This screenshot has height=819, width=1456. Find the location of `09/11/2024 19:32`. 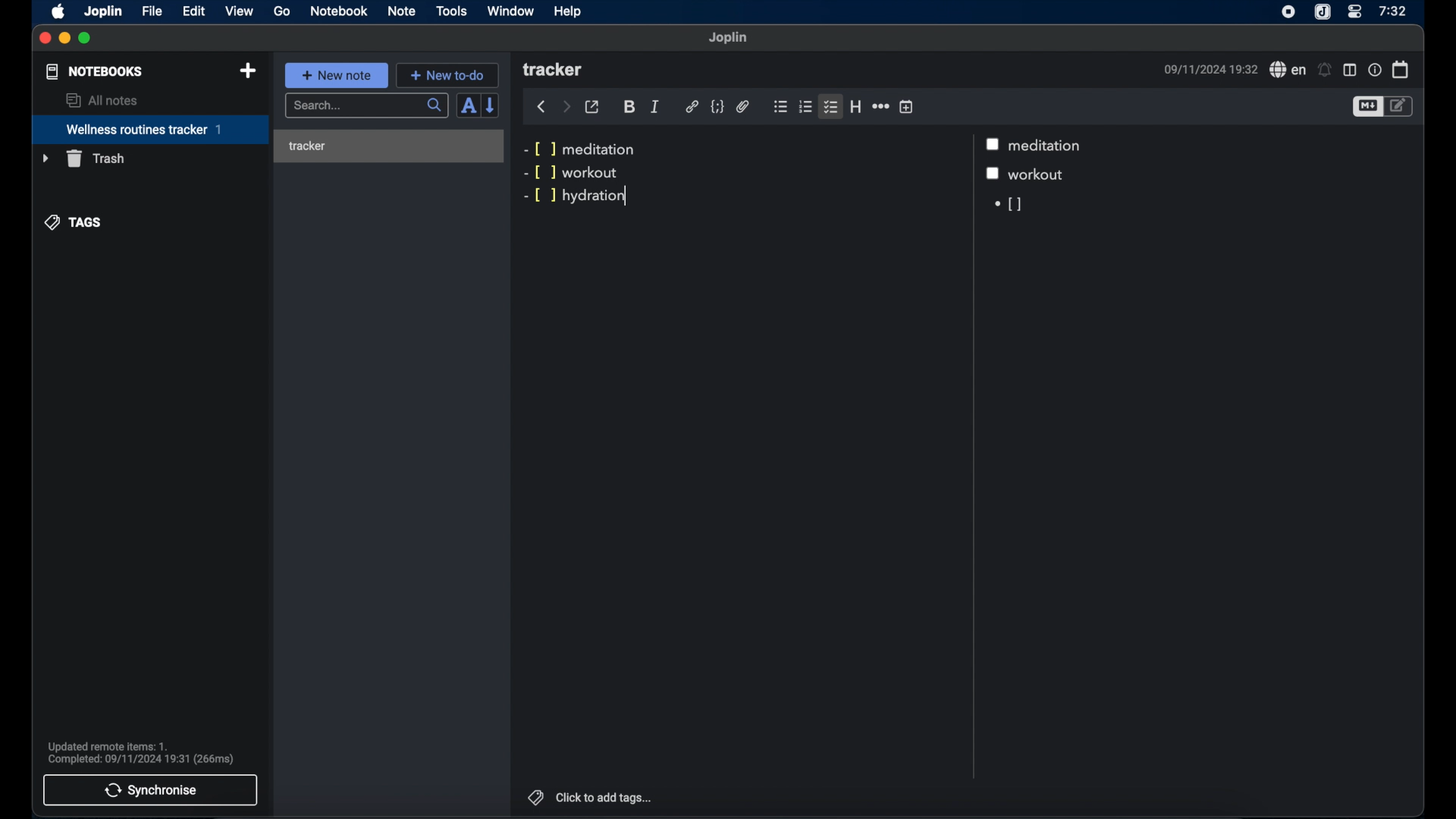

09/11/2024 19:32 is located at coordinates (1208, 69).